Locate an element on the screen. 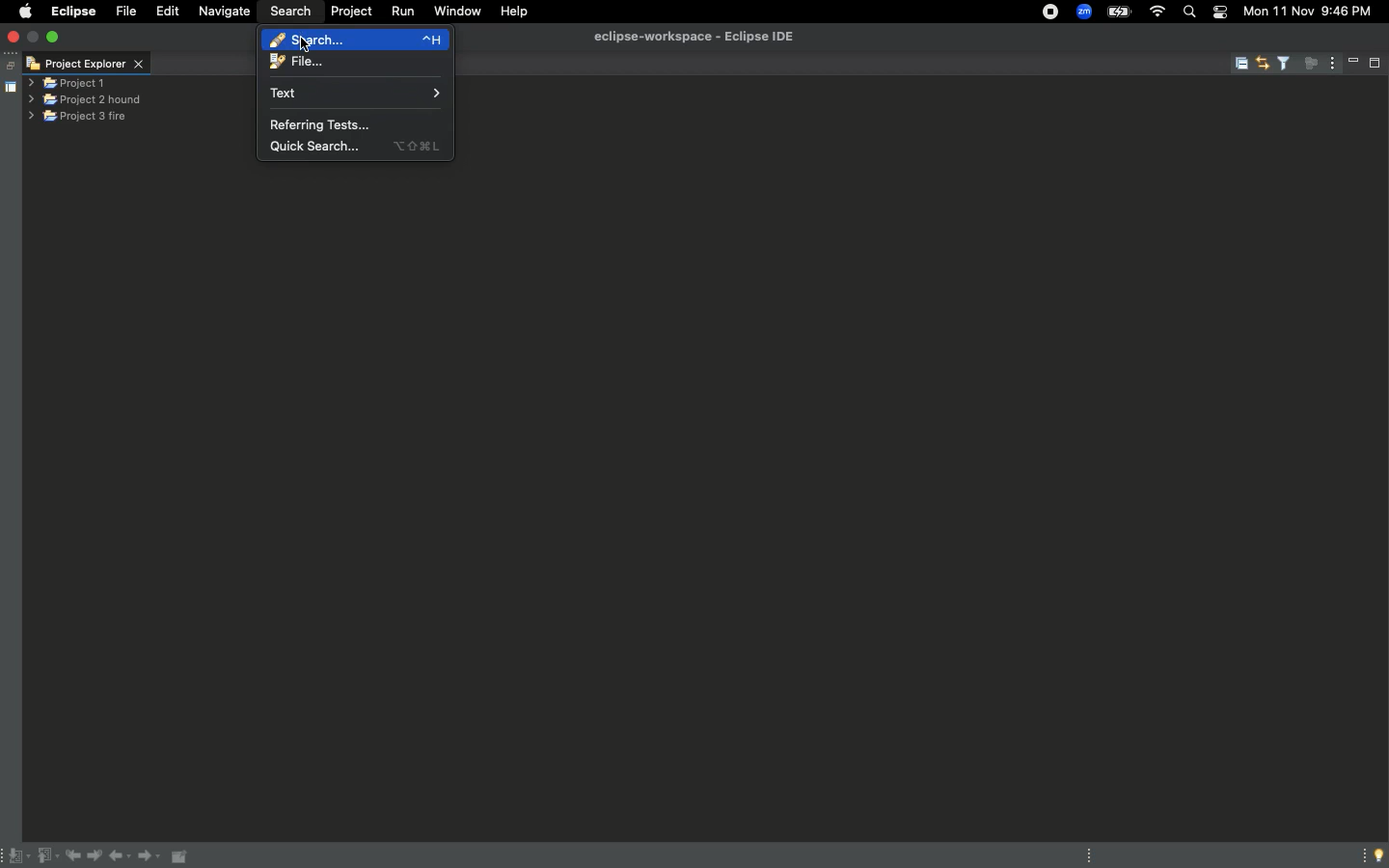  File is located at coordinates (128, 12).